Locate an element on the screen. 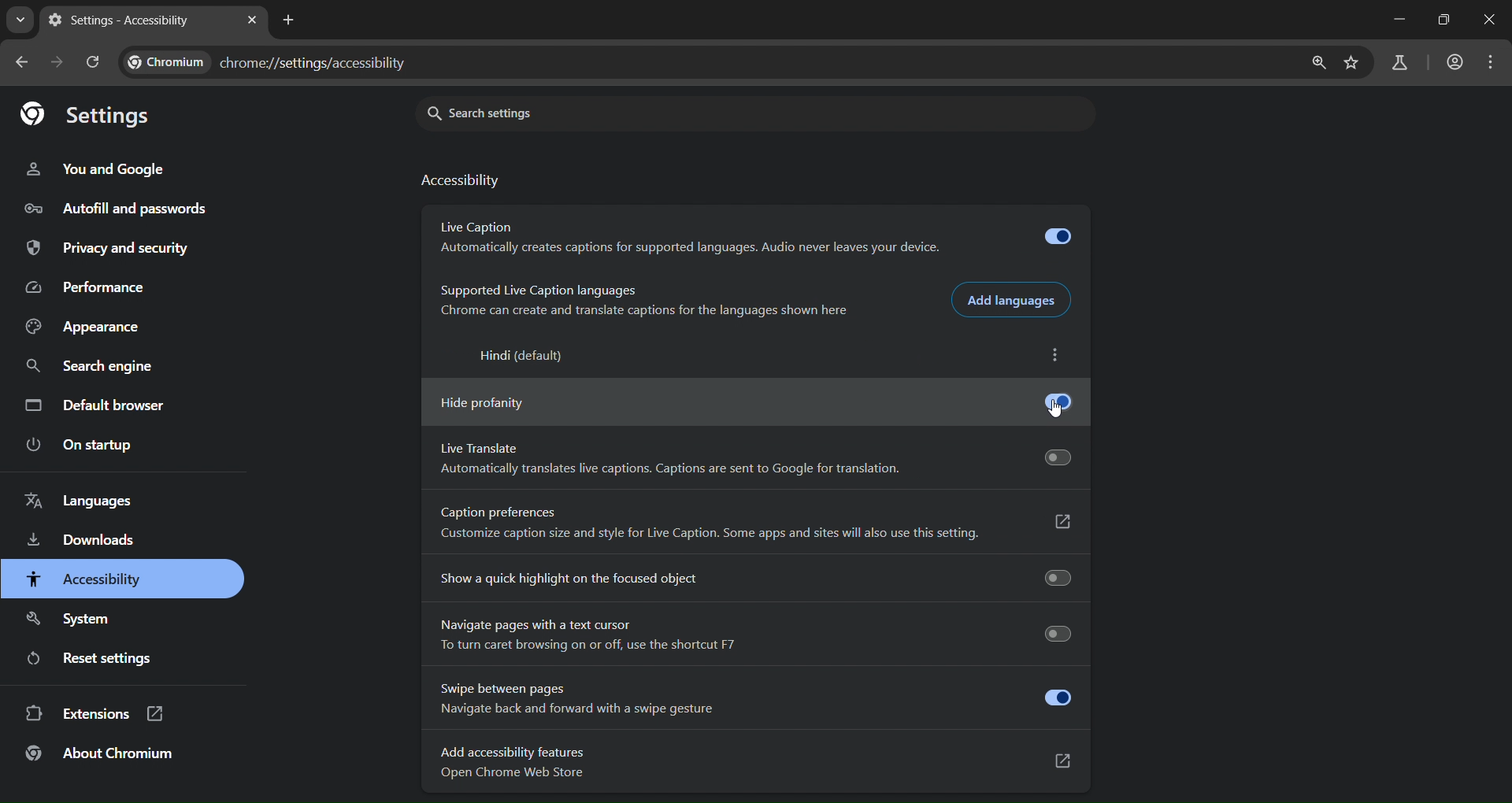  restore down is located at coordinates (1446, 20).